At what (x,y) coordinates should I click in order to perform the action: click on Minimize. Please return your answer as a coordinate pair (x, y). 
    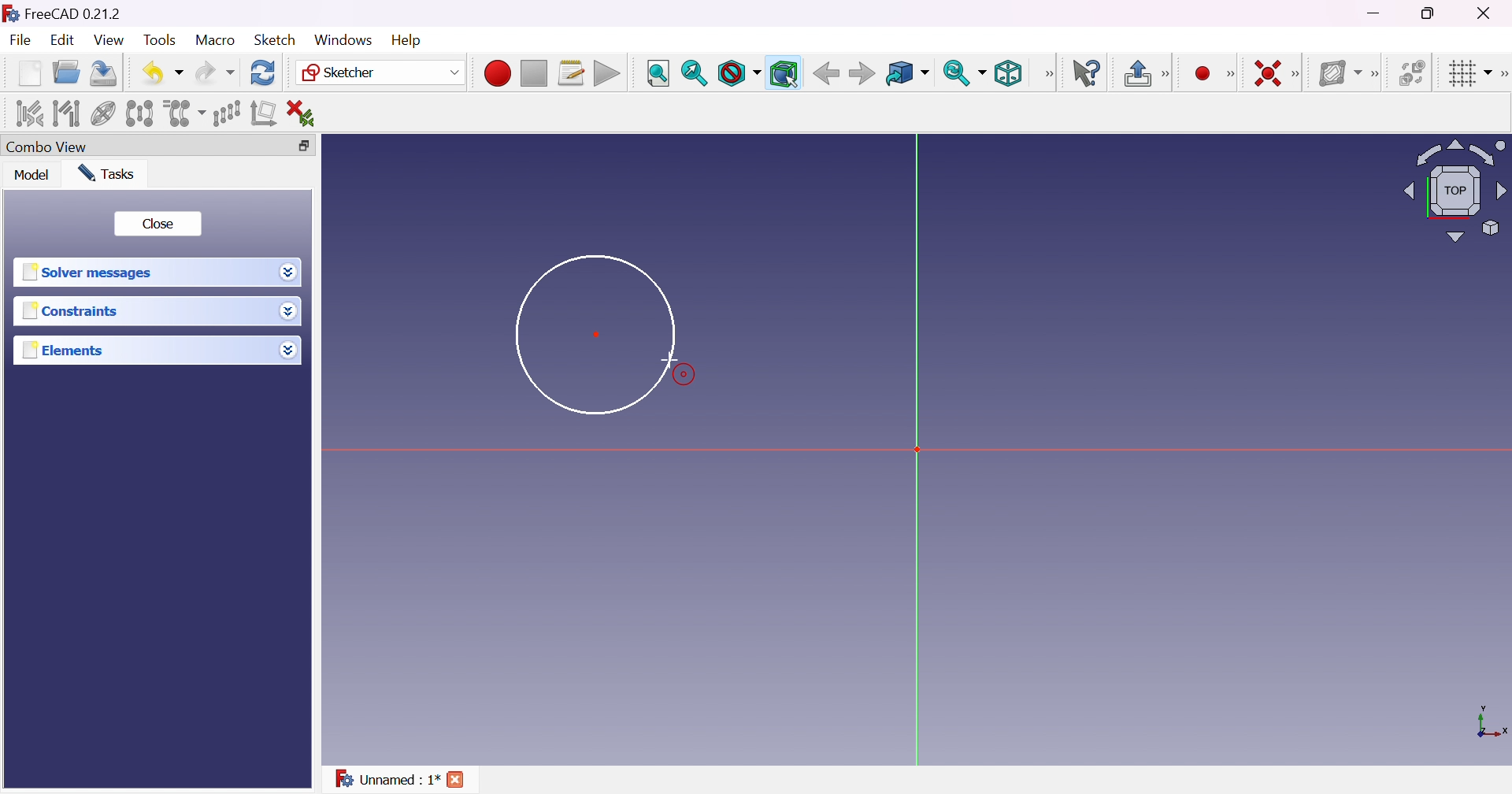
    Looking at the image, I should click on (1374, 13).